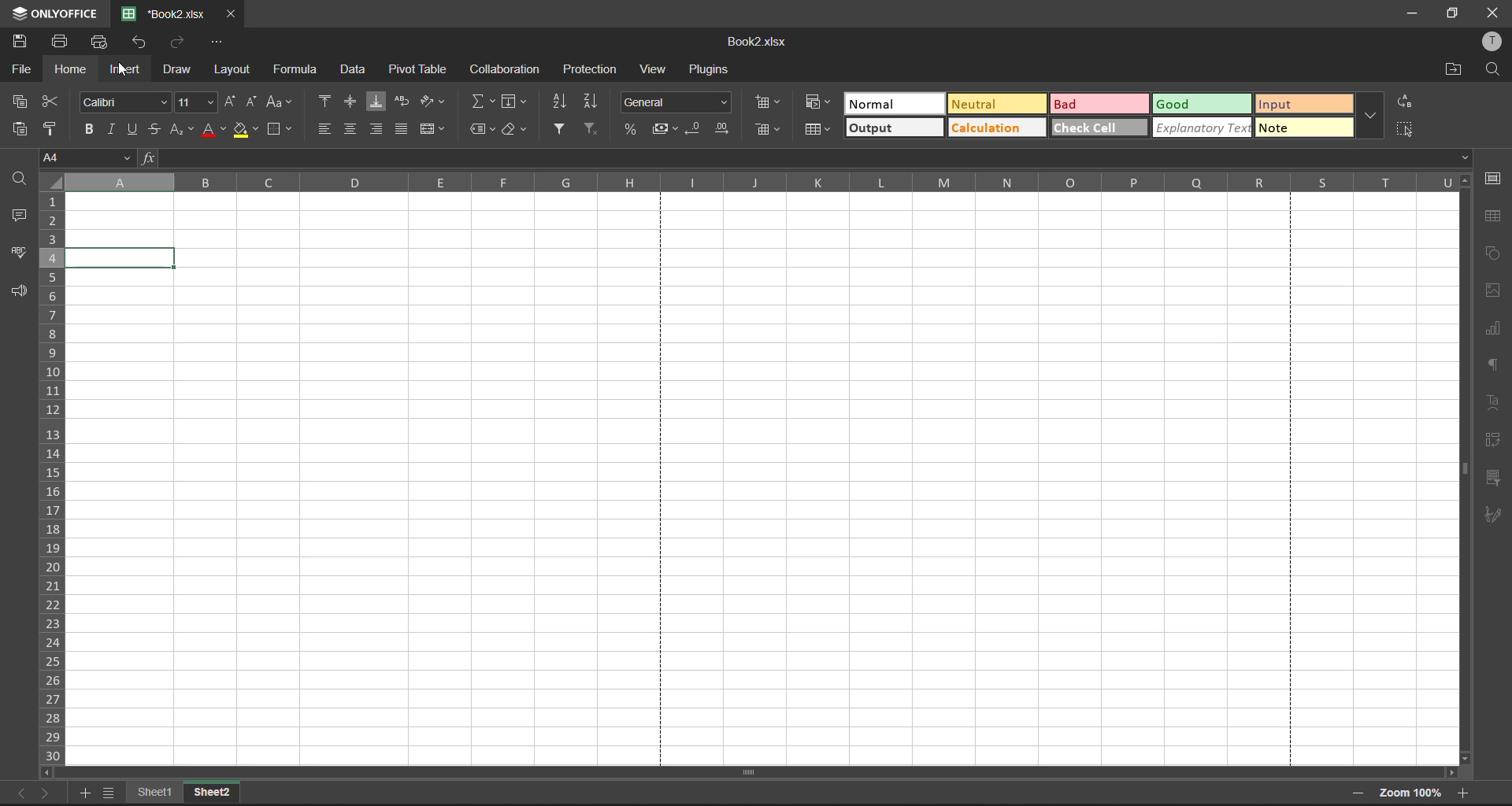  What do you see at coordinates (100, 42) in the screenshot?
I see `quick print` at bounding box center [100, 42].